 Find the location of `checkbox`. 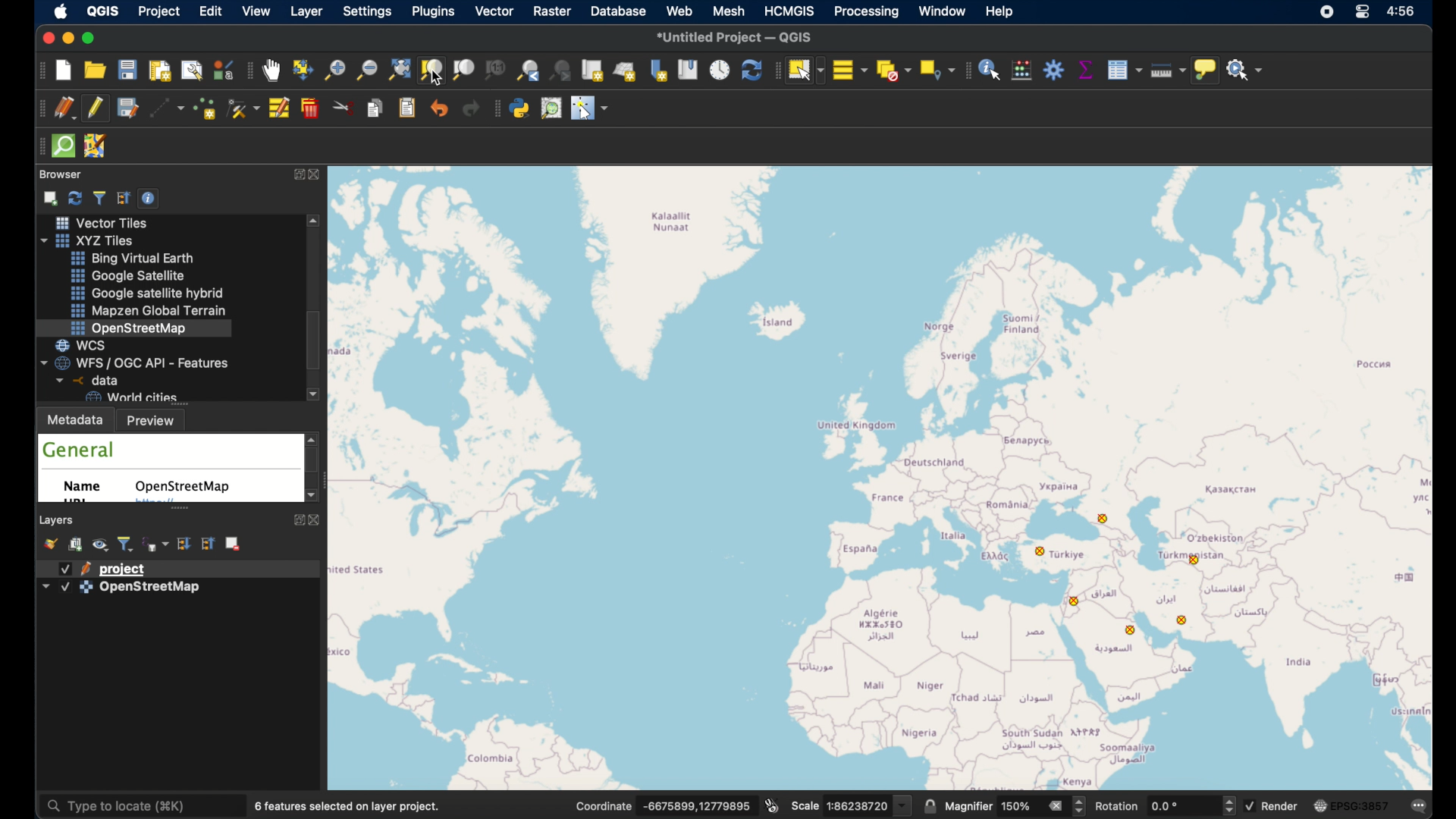

checkbox is located at coordinates (65, 569).